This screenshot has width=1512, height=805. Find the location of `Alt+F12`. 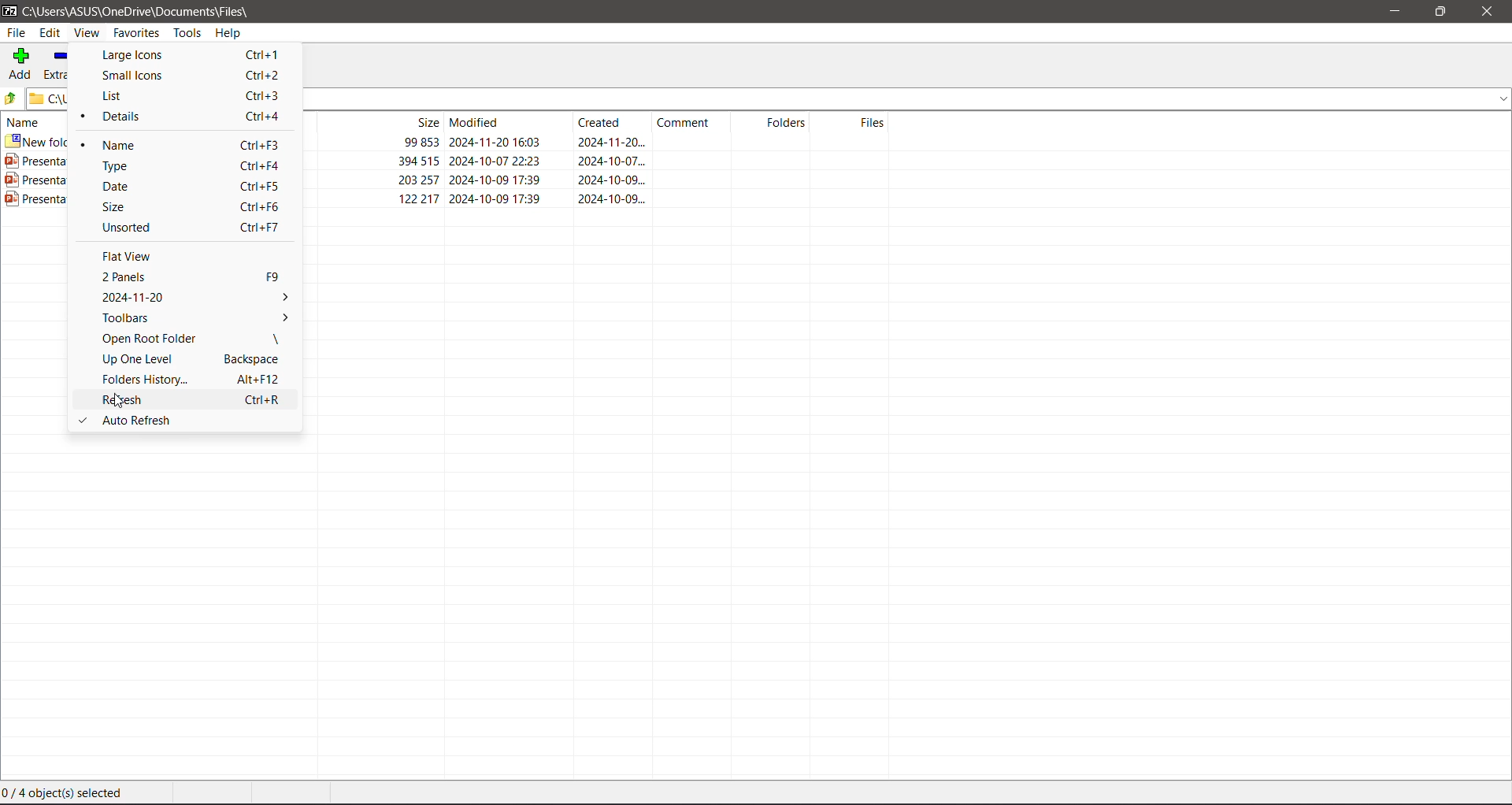

Alt+F12 is located at coordinates (258, 378).